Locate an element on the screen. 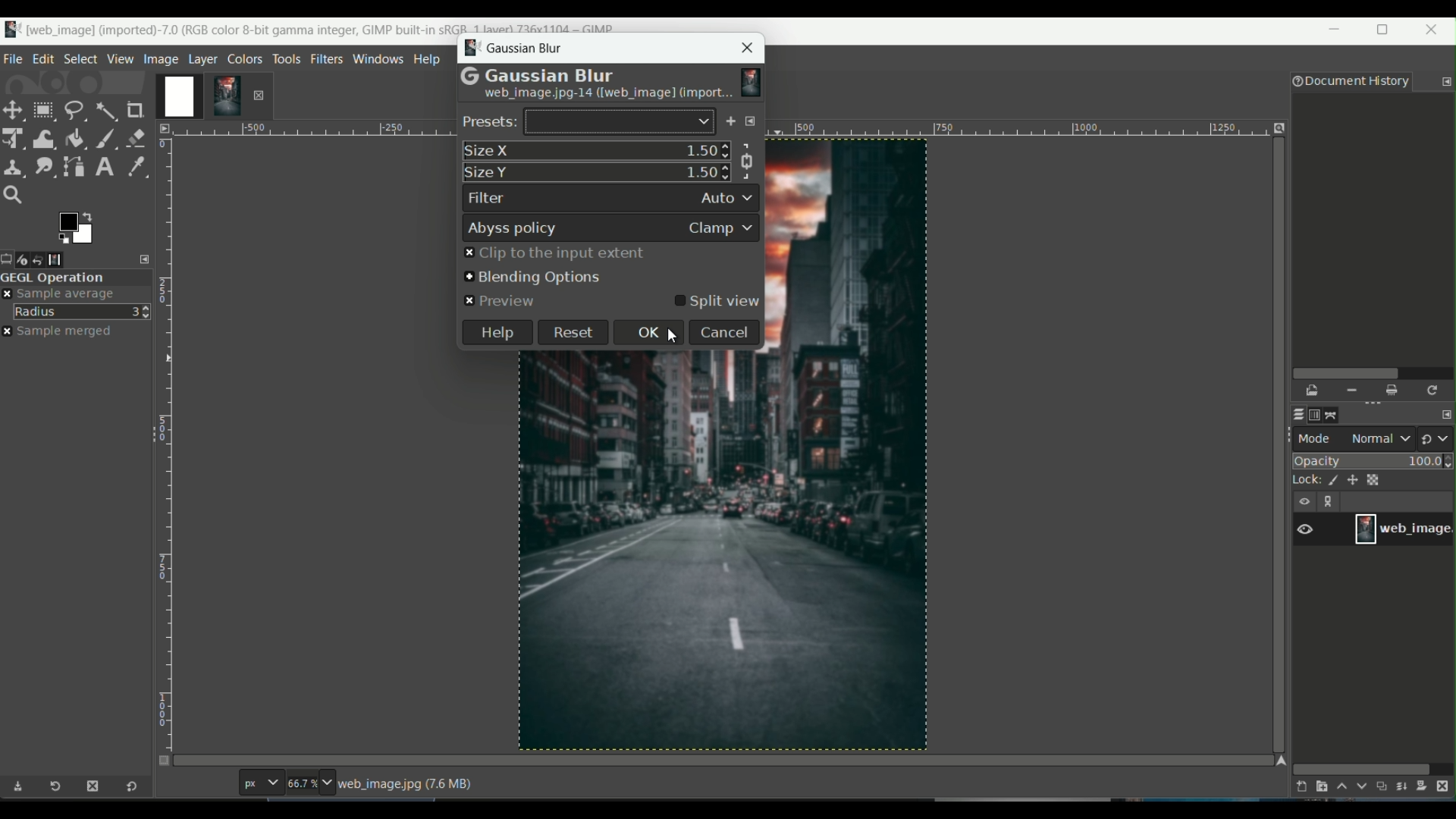  restore tool preset is located at coordinates (60, 789).